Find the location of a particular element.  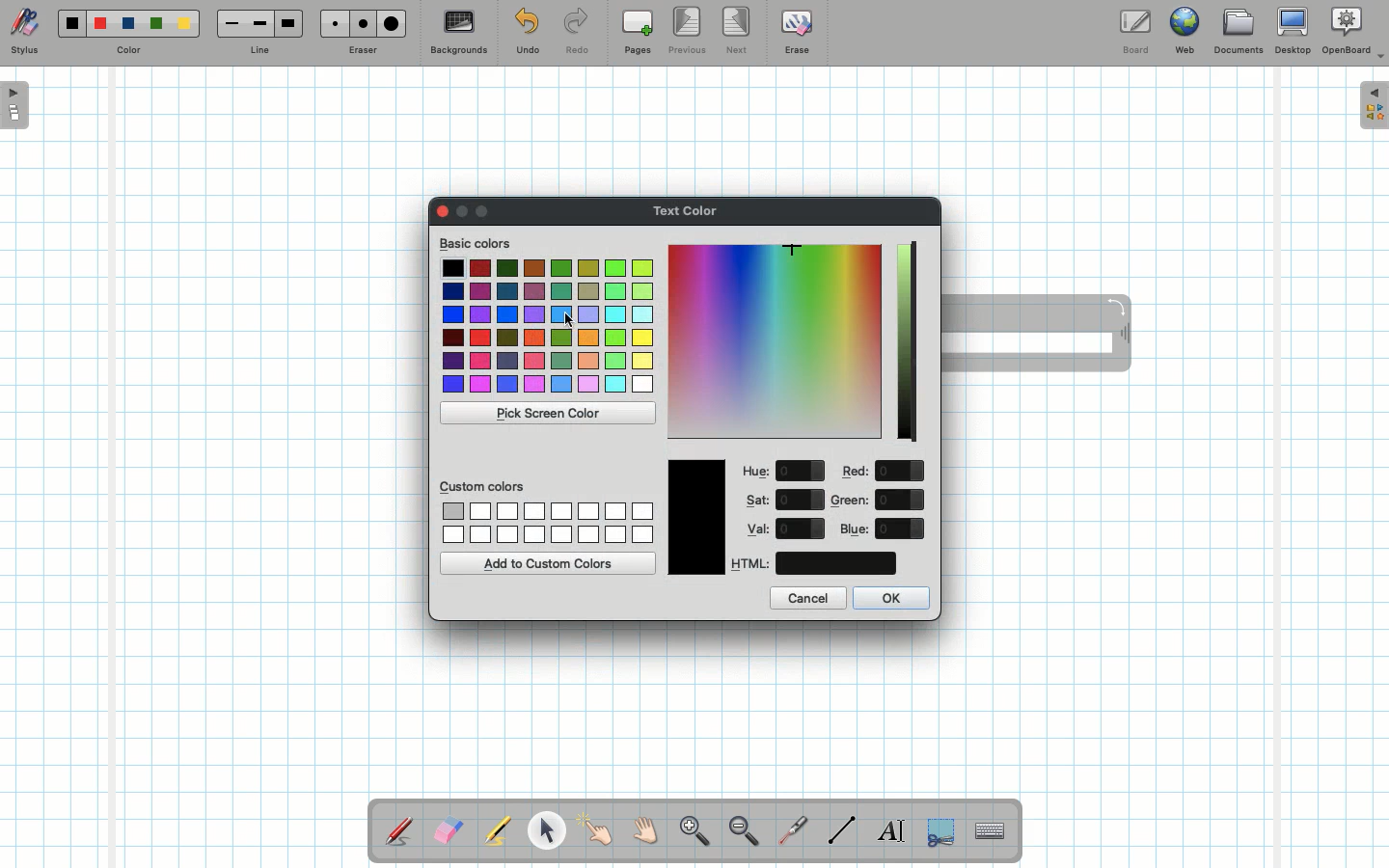

Color picker is located at coordinates (775, 341).